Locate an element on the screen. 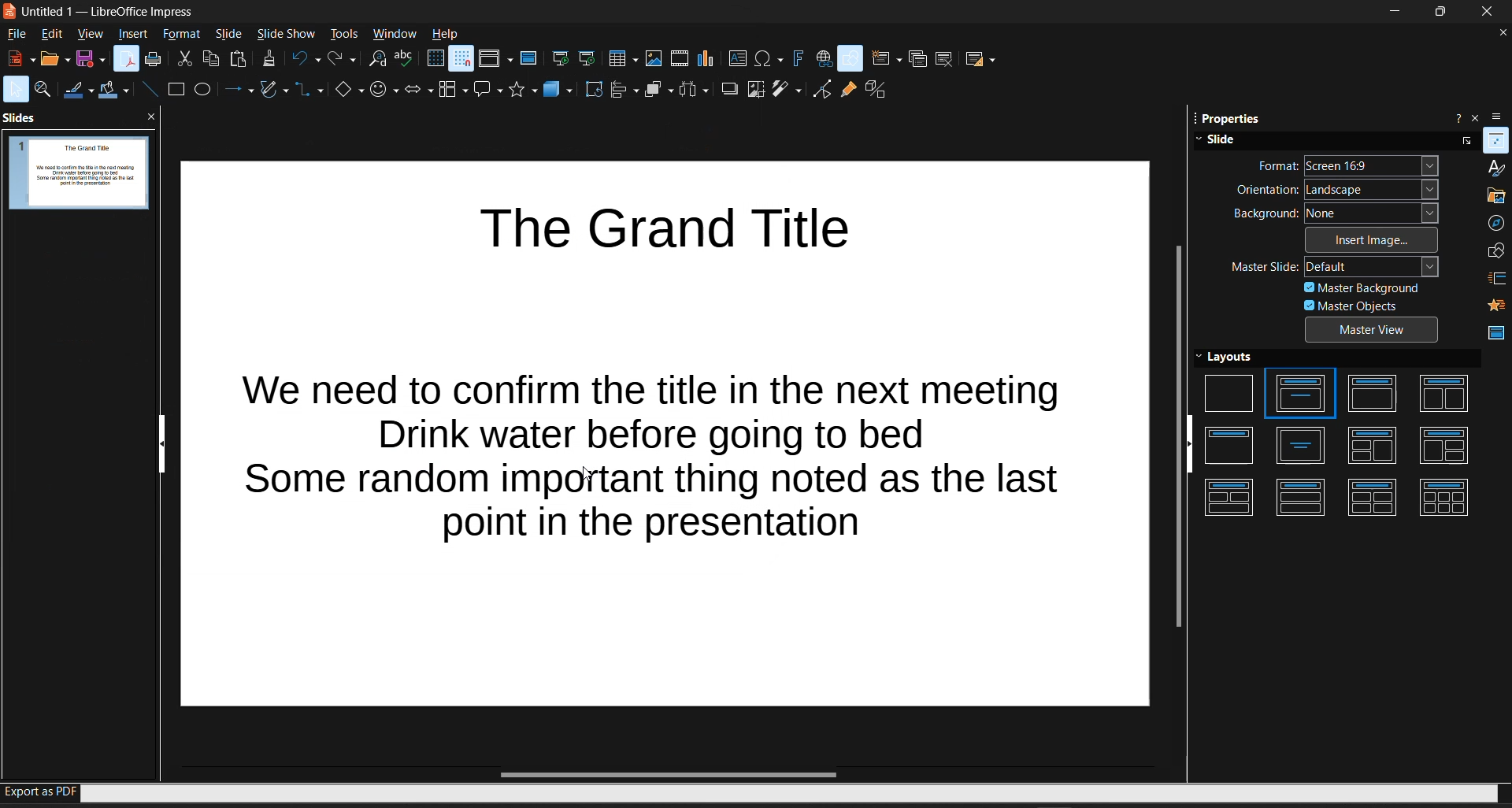  line color is located at coordinates (76, 91).